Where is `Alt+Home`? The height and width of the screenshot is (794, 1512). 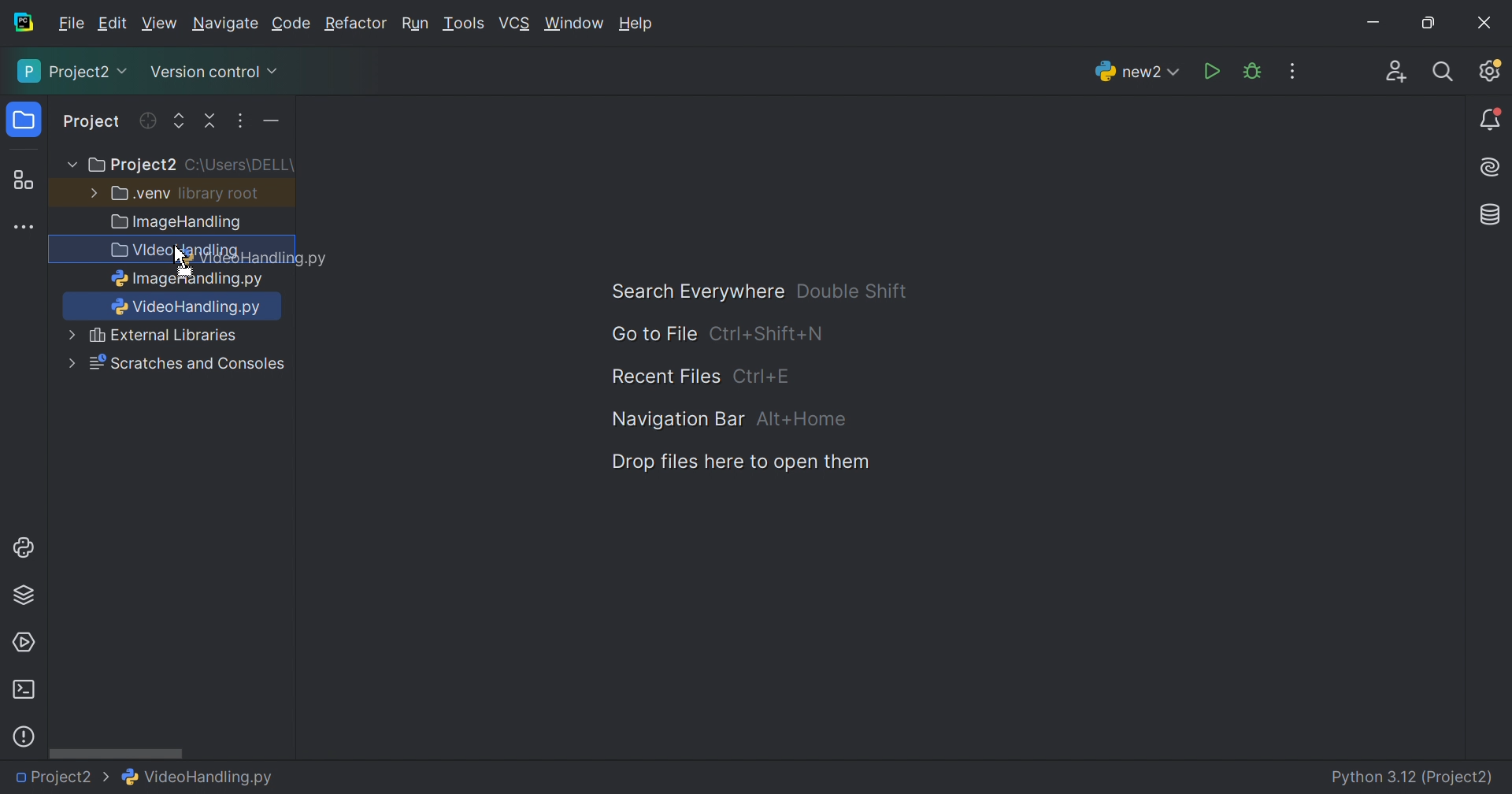 Alt+Home is located at coordinates (804, 420).